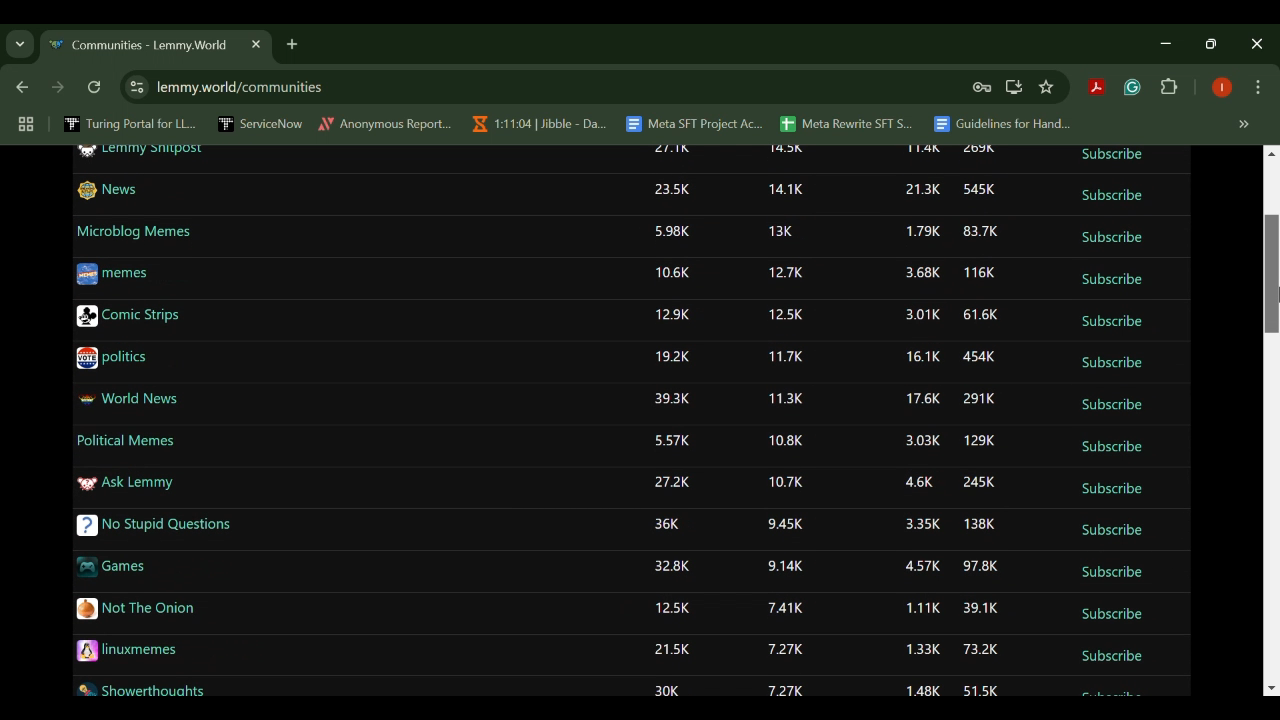 The width and height of the screenshot is (1280, 720). Describe the element at coordinates (922, 609) in the screenshot. I see `1.11K` at that location.